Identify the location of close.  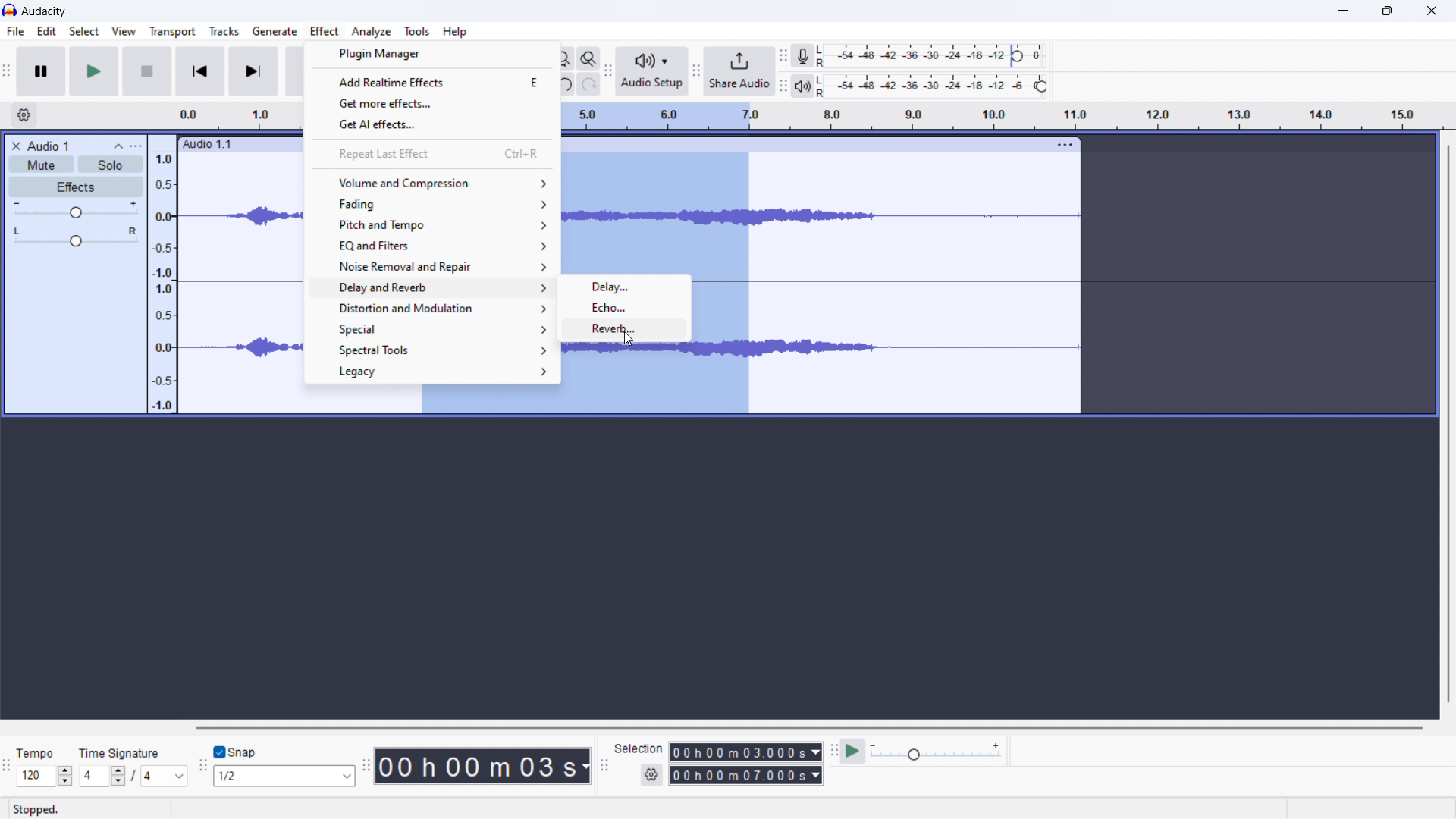
(1432, 11).